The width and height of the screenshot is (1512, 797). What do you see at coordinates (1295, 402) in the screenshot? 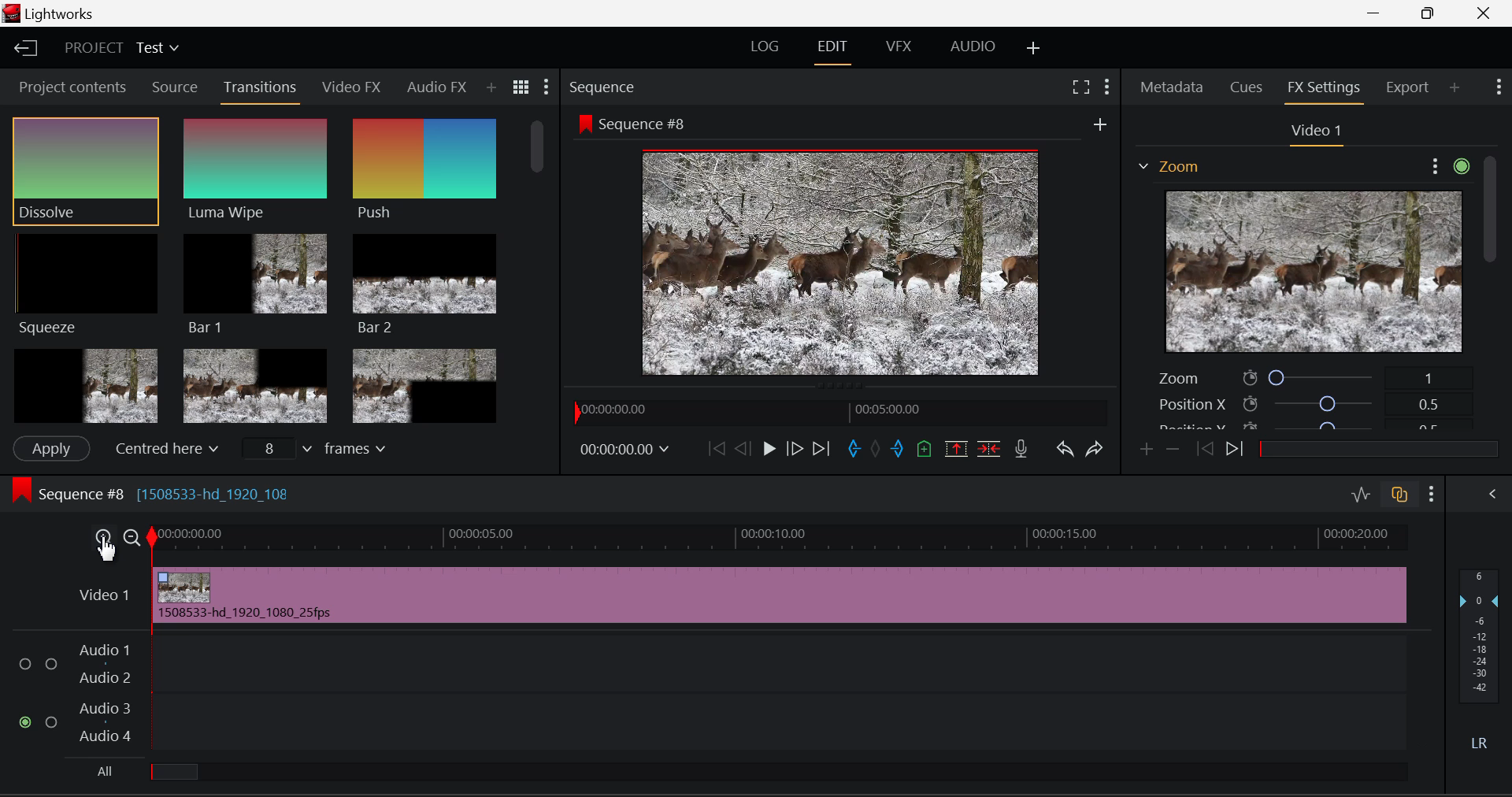
I see `Position X` at bounding box center [1295, 402].